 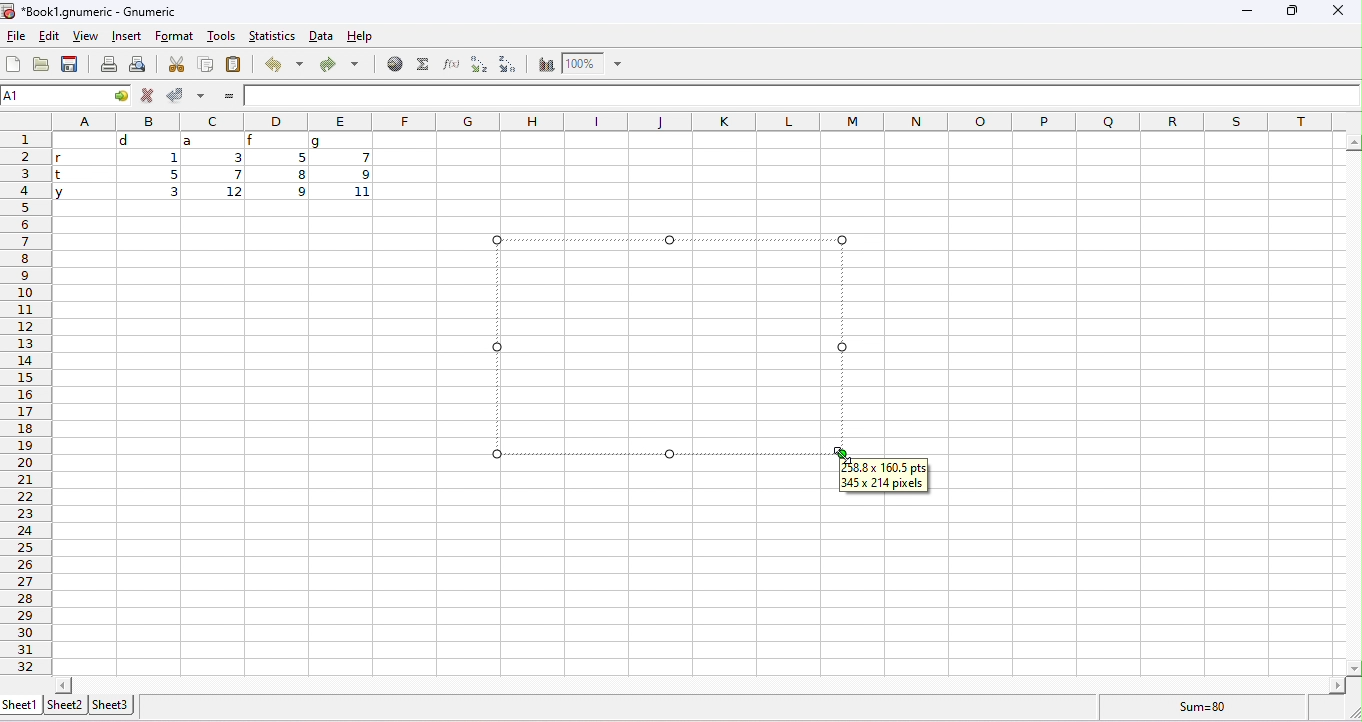 I want to click on close, so click(x=1339, y=13).